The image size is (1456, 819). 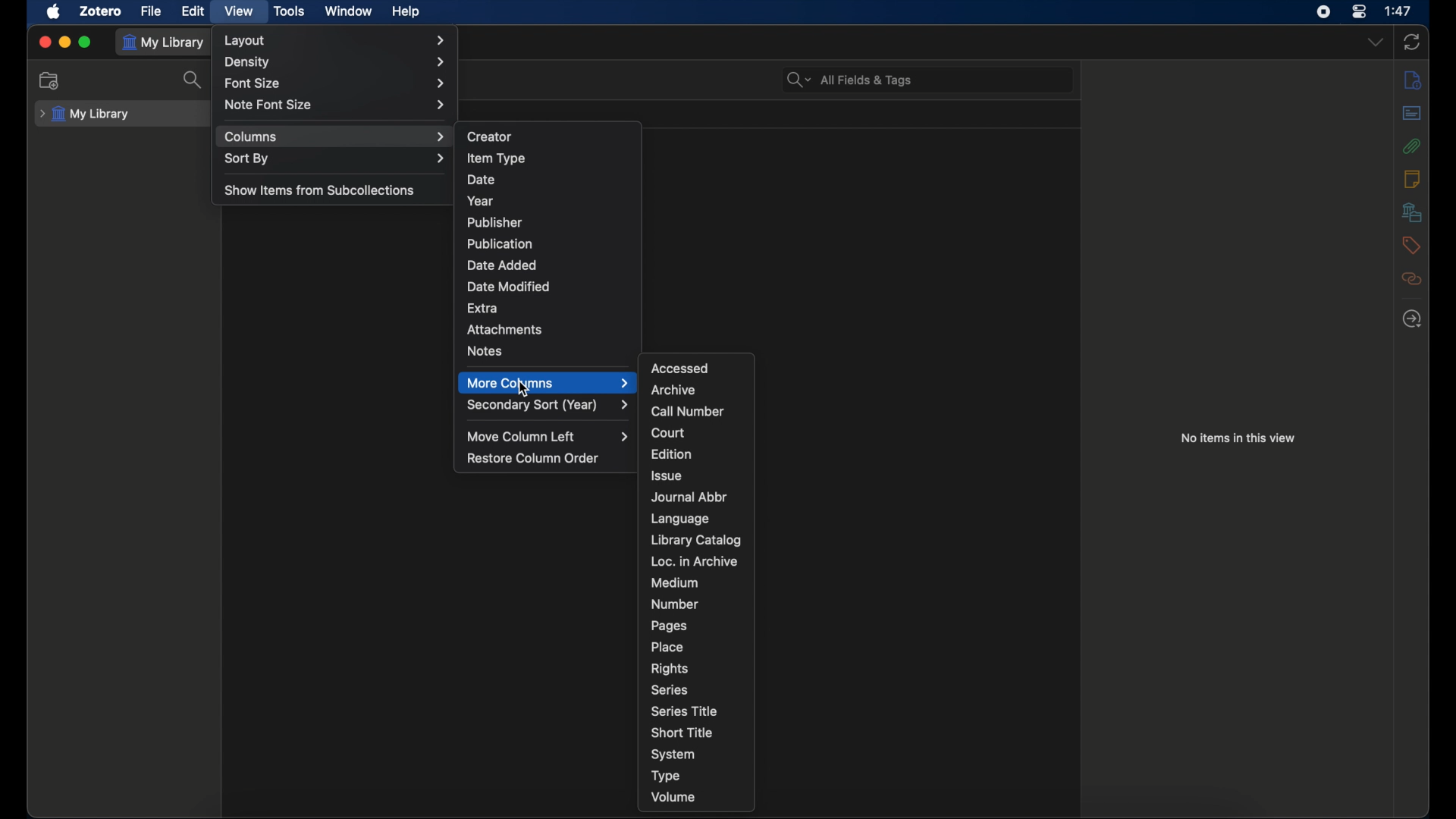 What do you see at coordinates (690, 497) in the screenshot?
I see `journal abbr` at bounding box center [690, 497].